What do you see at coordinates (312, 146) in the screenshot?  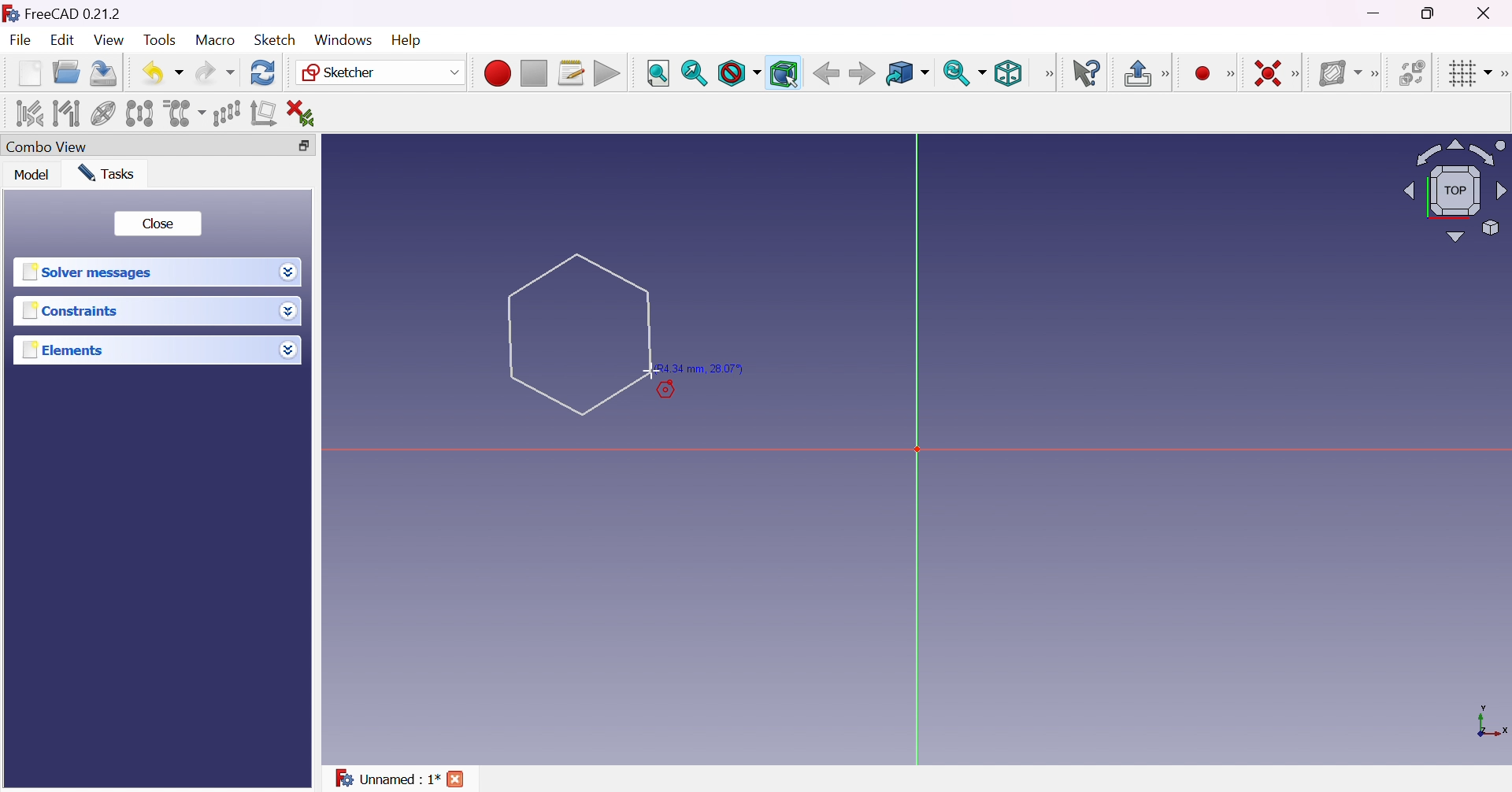 I see `Restore down` at bounding box center [312, 146].